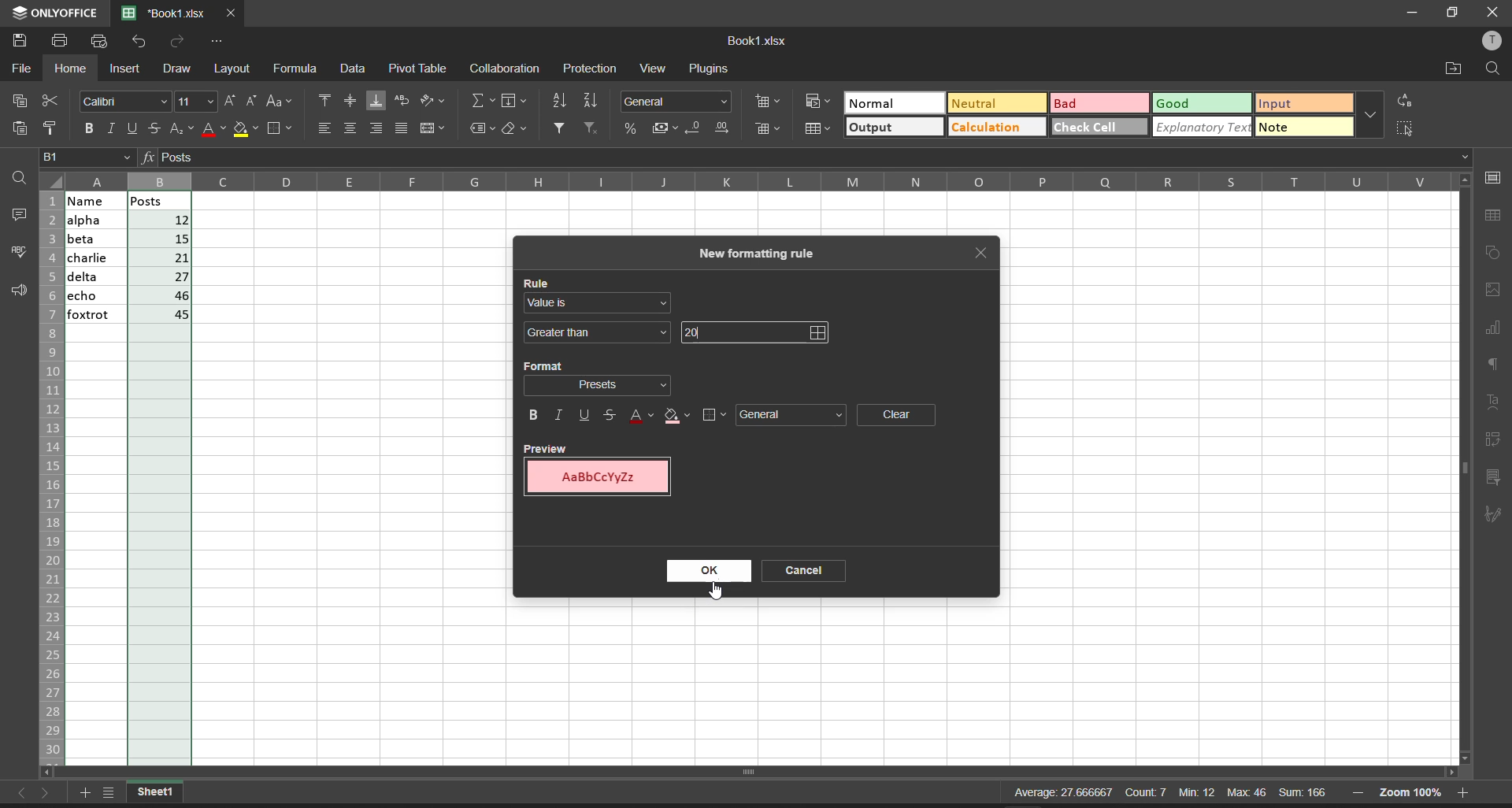 Image resolution: width=1512 pixels, height=808 pixels. What do you see at coordinates (976, 102) in the screenshot?
I see `Neutral` at bounding box center [976, 102].